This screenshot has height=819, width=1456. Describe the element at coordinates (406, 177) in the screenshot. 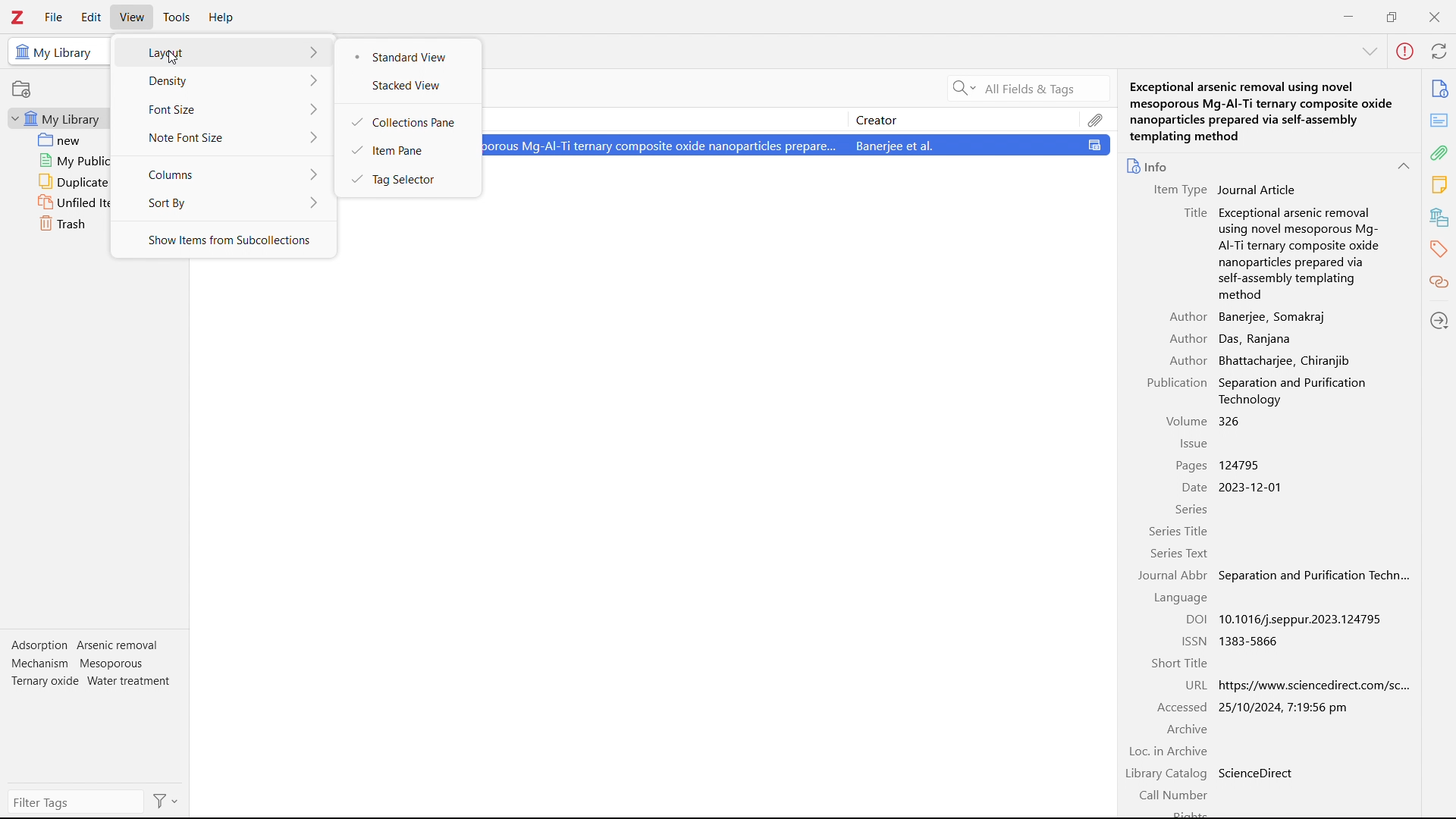

I see `tag selector` at that location.